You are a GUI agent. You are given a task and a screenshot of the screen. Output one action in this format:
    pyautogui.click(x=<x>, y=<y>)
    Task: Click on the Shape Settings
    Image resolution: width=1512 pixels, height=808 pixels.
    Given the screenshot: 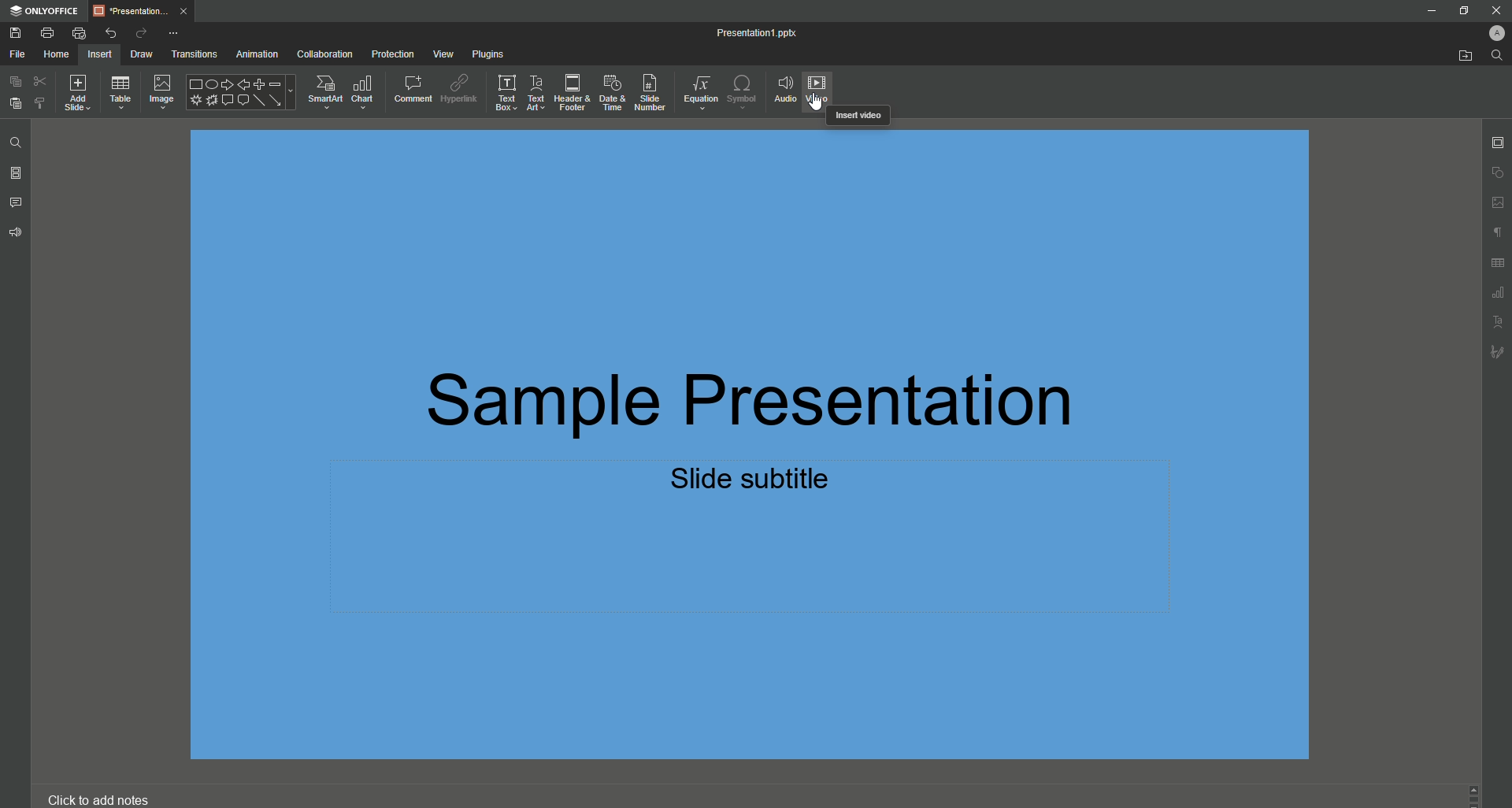 What is the action you would take?
    pyautogui.click(x=1496, y=172)
    